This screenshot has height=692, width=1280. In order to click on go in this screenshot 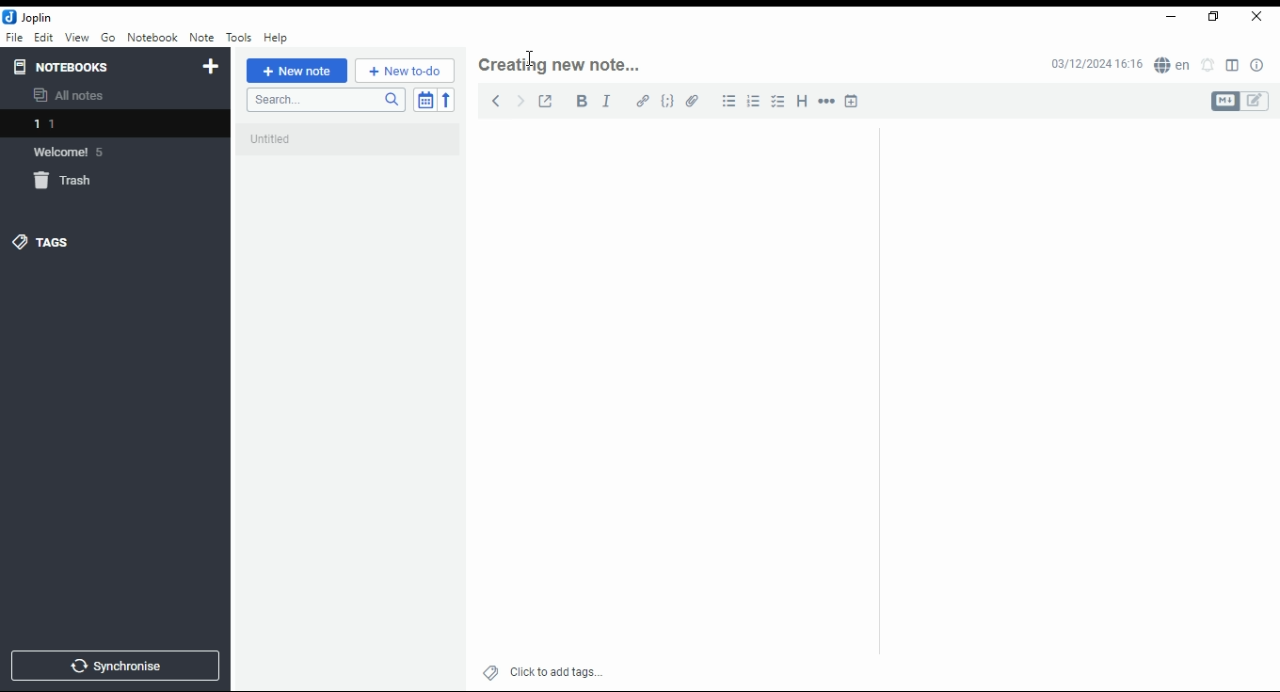, I will do `click(110, 40)`.